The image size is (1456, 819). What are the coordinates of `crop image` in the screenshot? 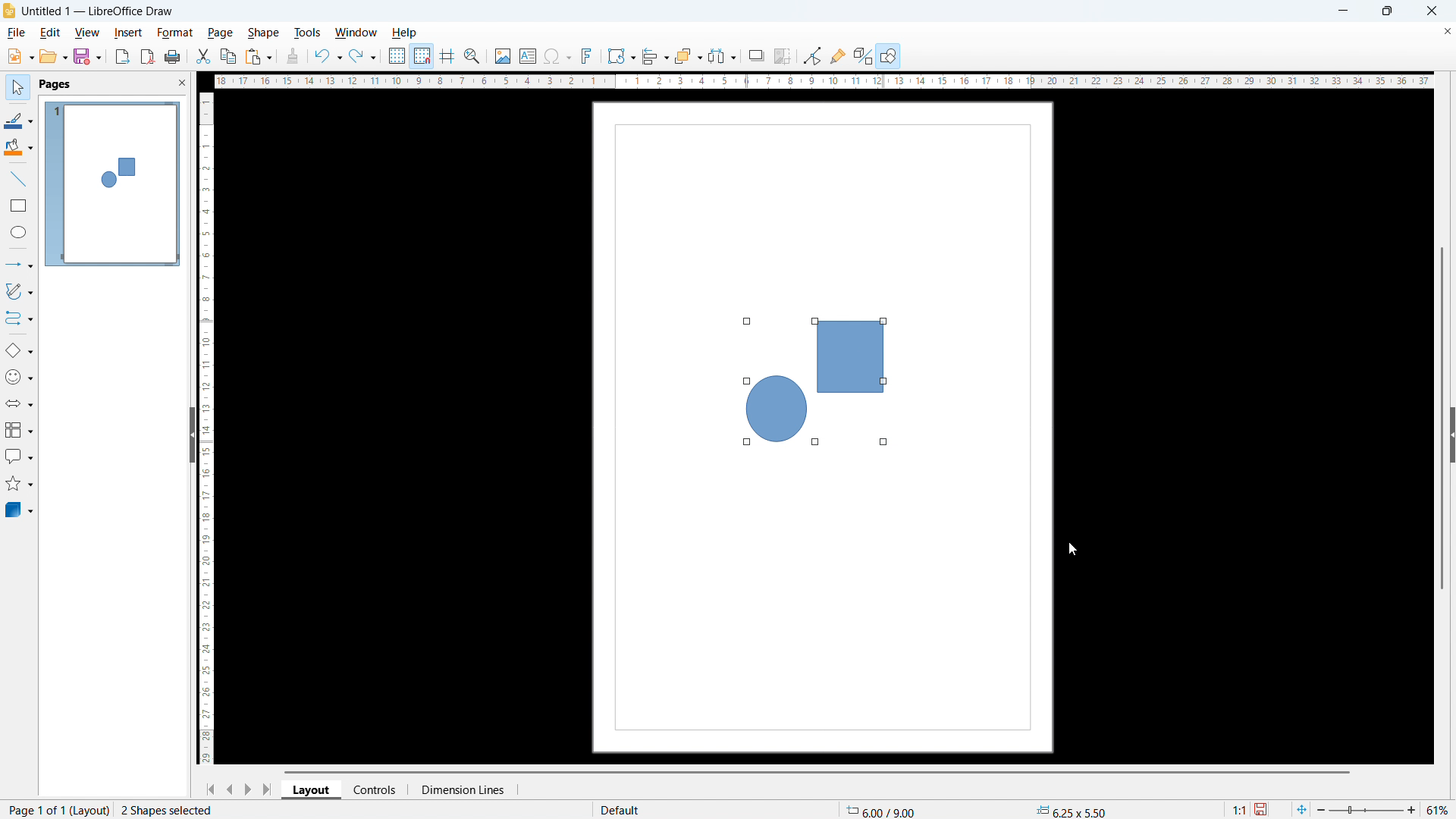 It's located at (784, 55).